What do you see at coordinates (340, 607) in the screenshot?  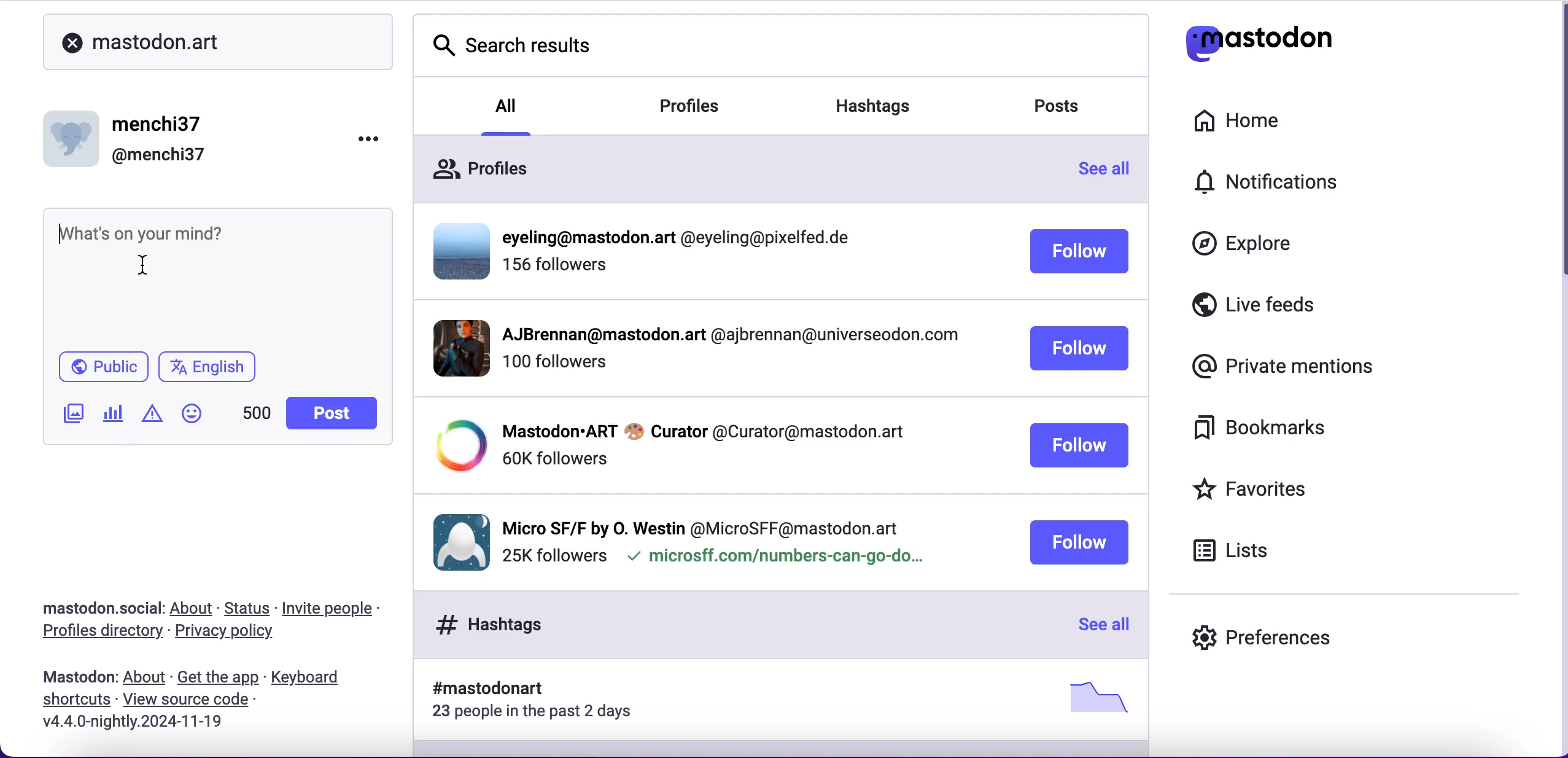 I see `invite people` at bounding box center [340, 607].